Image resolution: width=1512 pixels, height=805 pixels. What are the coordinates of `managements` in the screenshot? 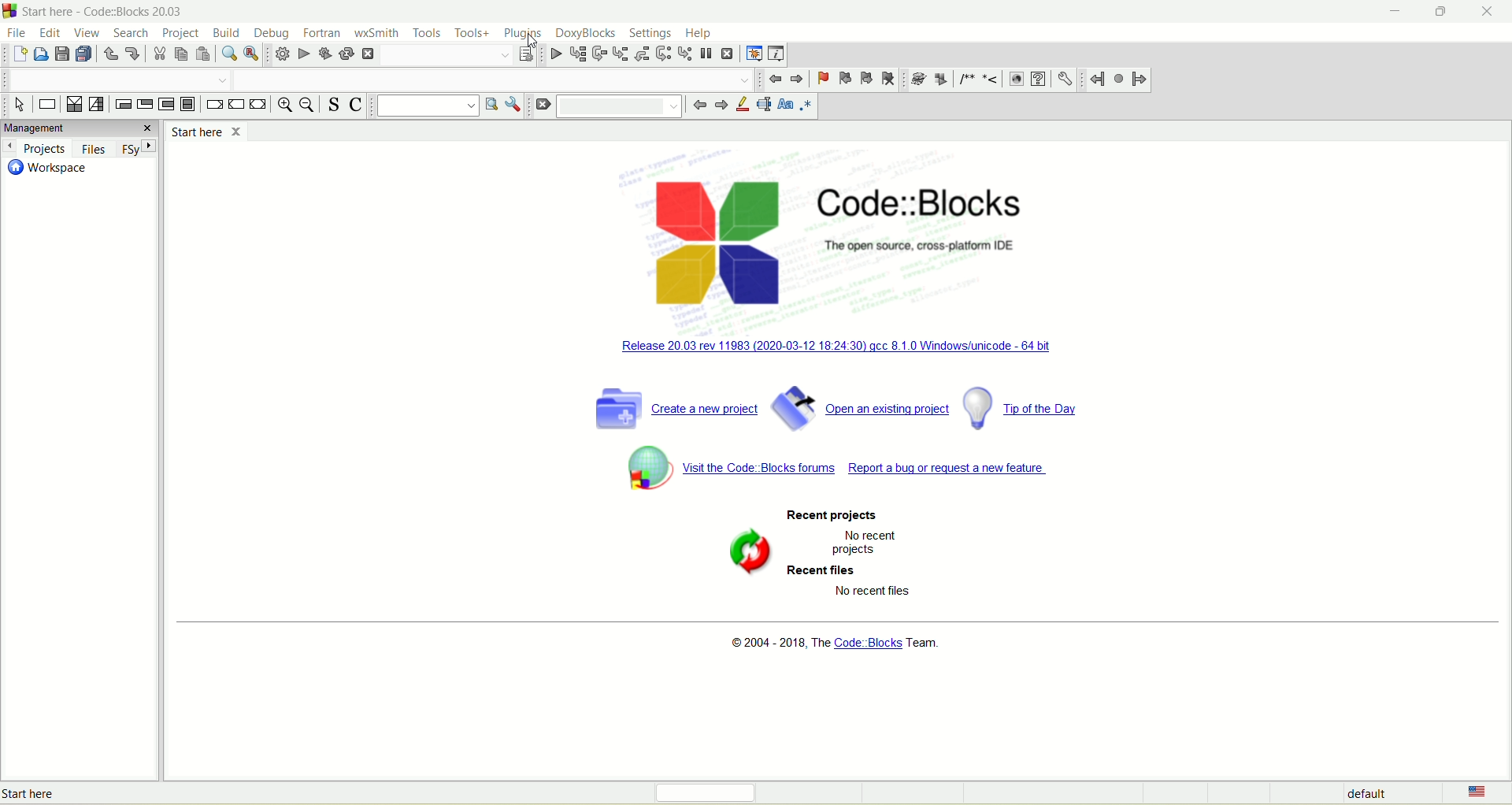 It's located at (79, 128).